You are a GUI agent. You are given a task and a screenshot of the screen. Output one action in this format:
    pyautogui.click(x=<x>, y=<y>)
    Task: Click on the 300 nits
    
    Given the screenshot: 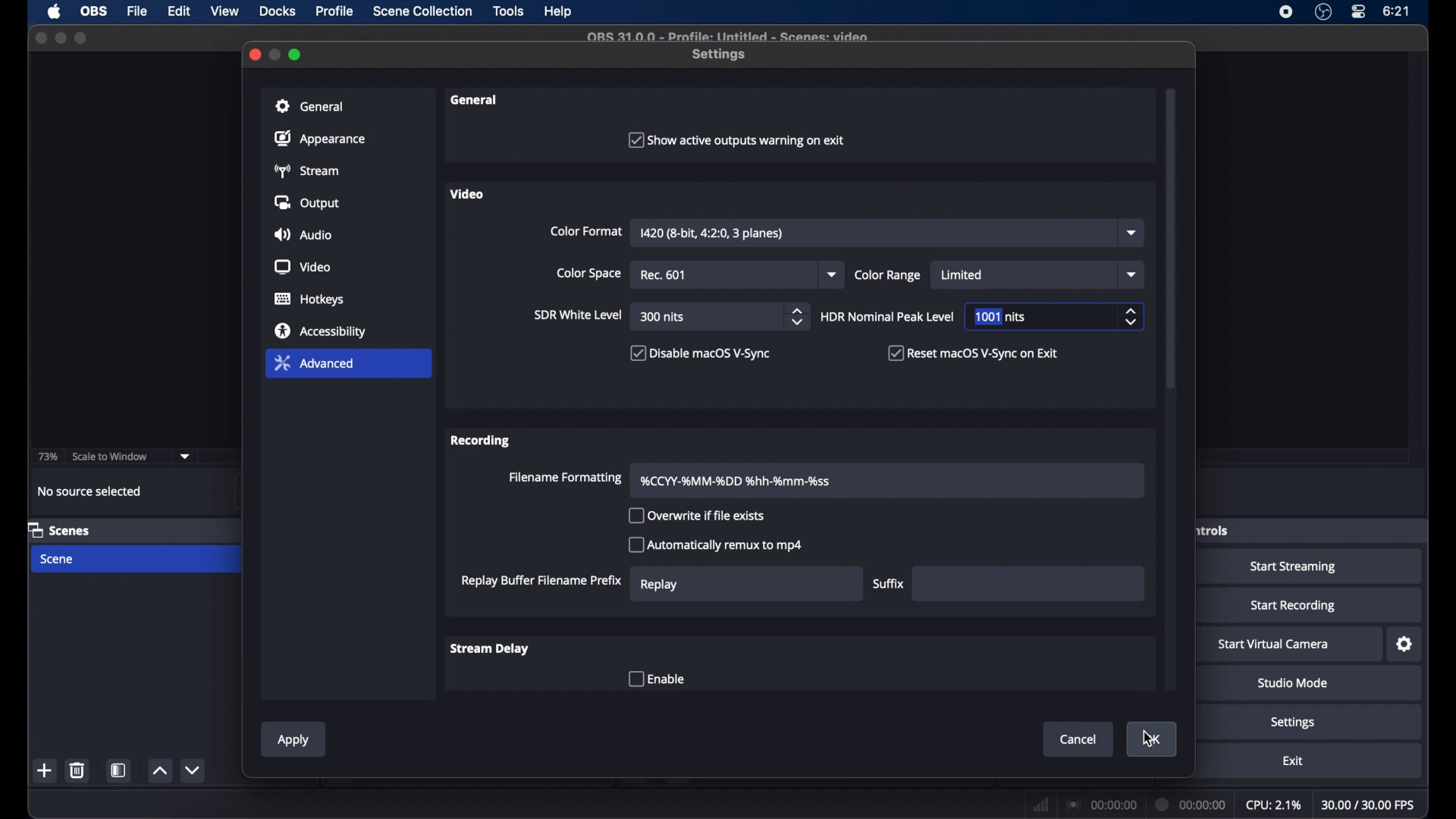 What is the action you would take?
    pyautogui.click(x=663, y=317)
    